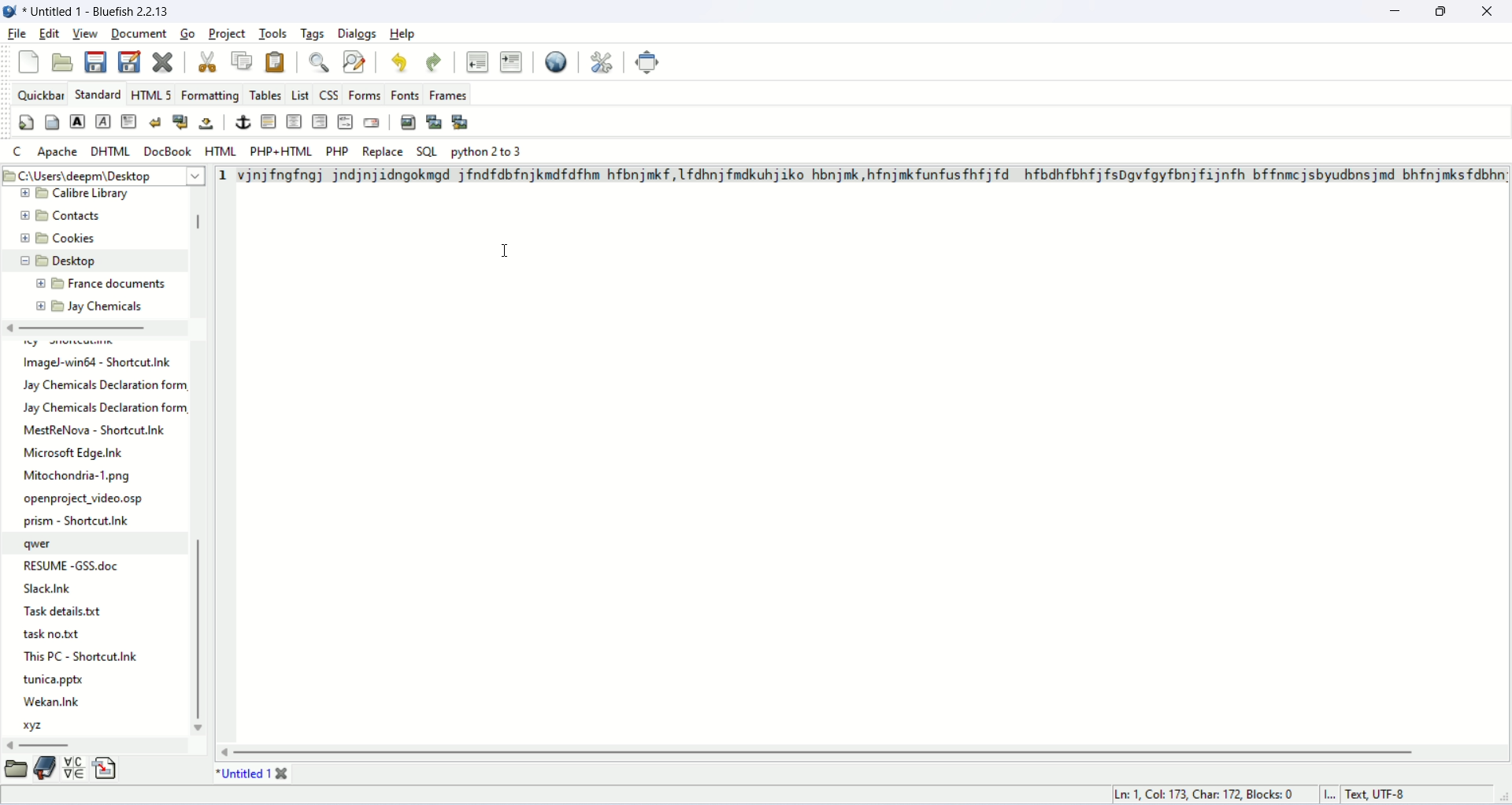 The image size is (1512, 805). Describe the element at coordinates (208, 124) in the screenshot. I see `non-breaking space` at that location.